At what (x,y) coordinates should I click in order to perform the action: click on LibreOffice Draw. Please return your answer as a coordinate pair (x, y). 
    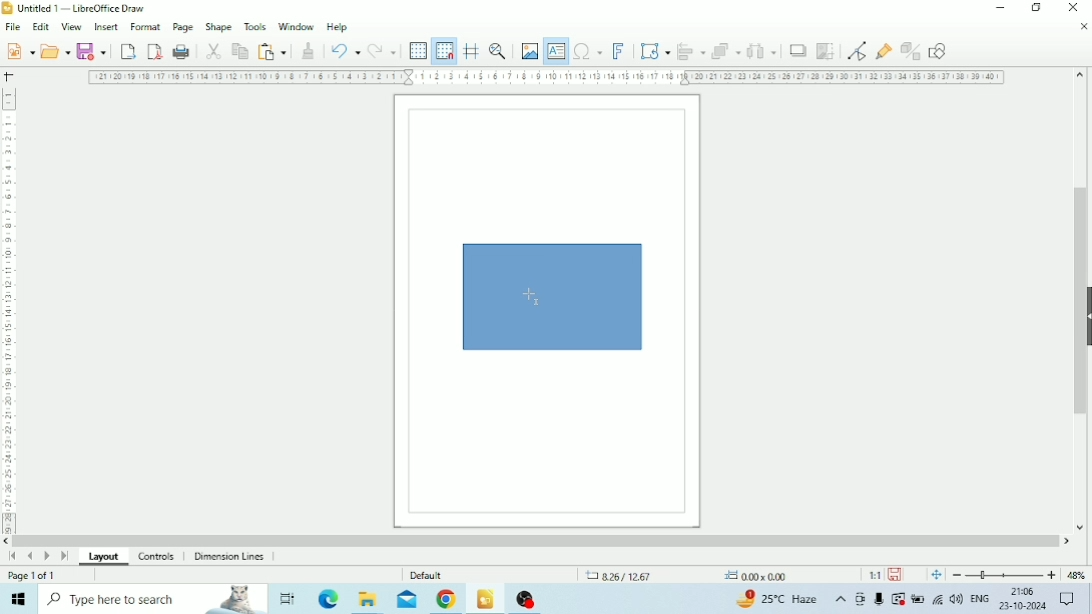
    Looking at the image, I should click on (485, 598).